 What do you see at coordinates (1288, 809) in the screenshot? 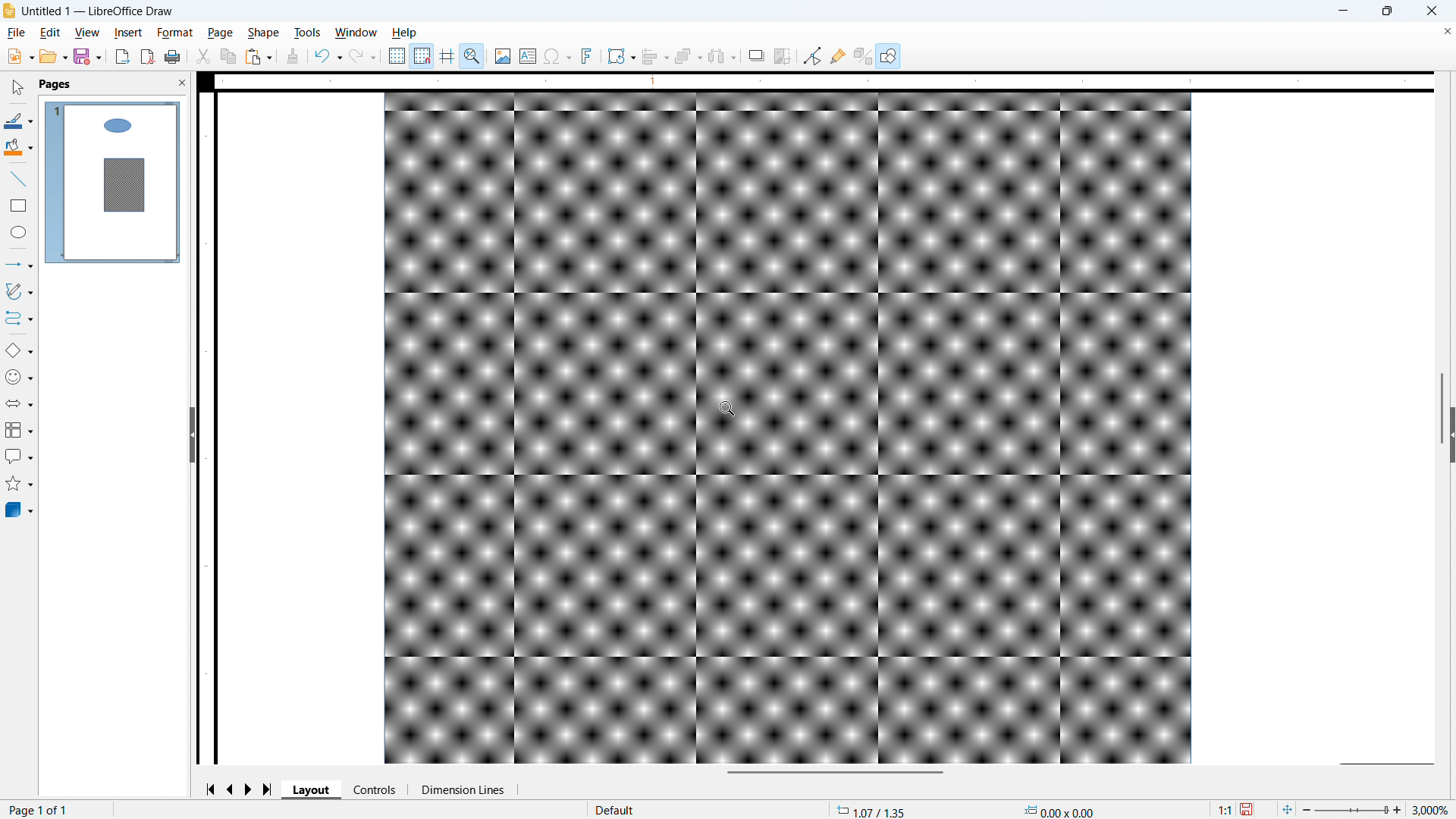
I see `Fit to page ` at bounding box center [1288, 809].